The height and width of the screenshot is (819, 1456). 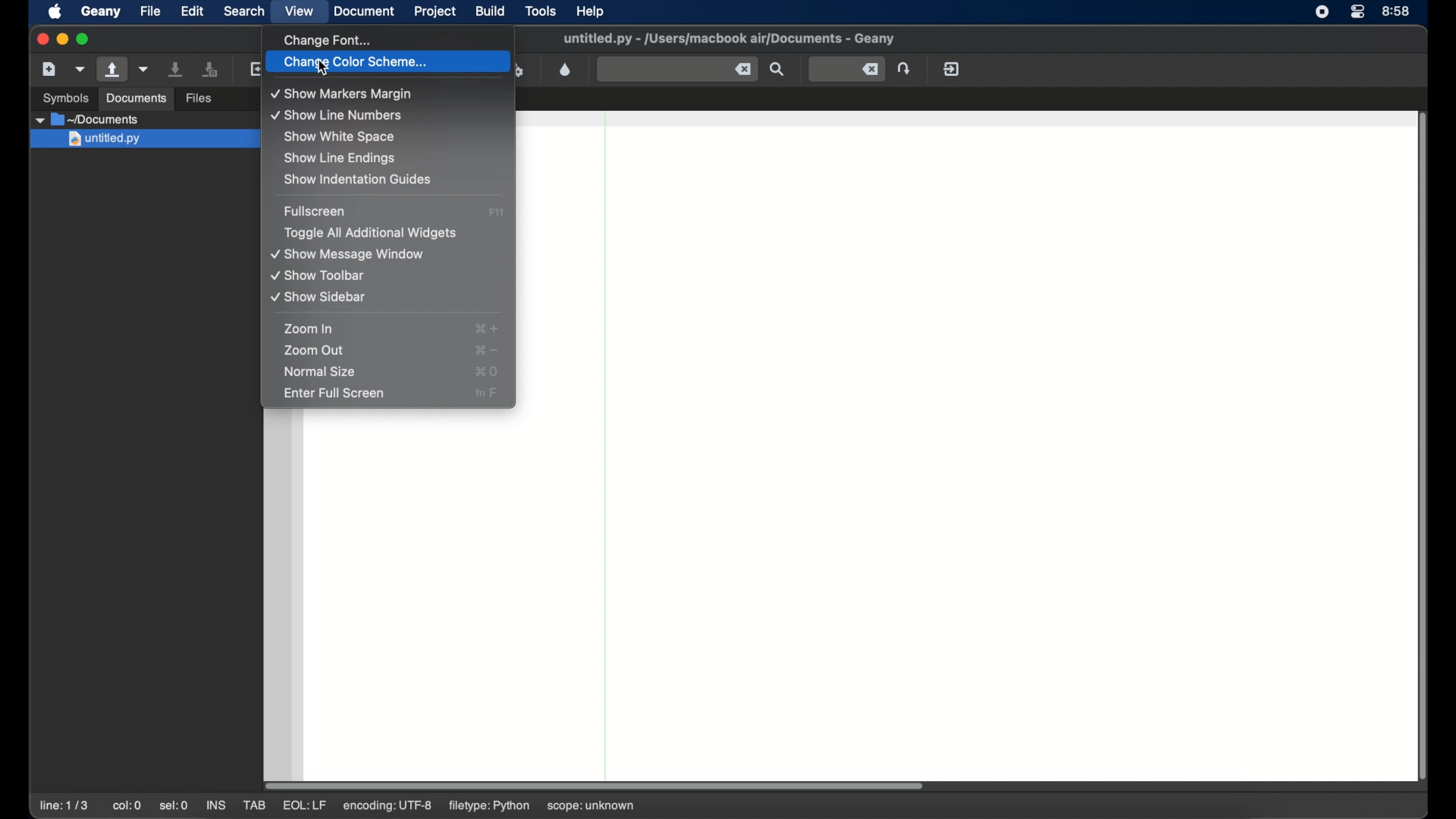 I want to click on file, so click(x=149, y=11).